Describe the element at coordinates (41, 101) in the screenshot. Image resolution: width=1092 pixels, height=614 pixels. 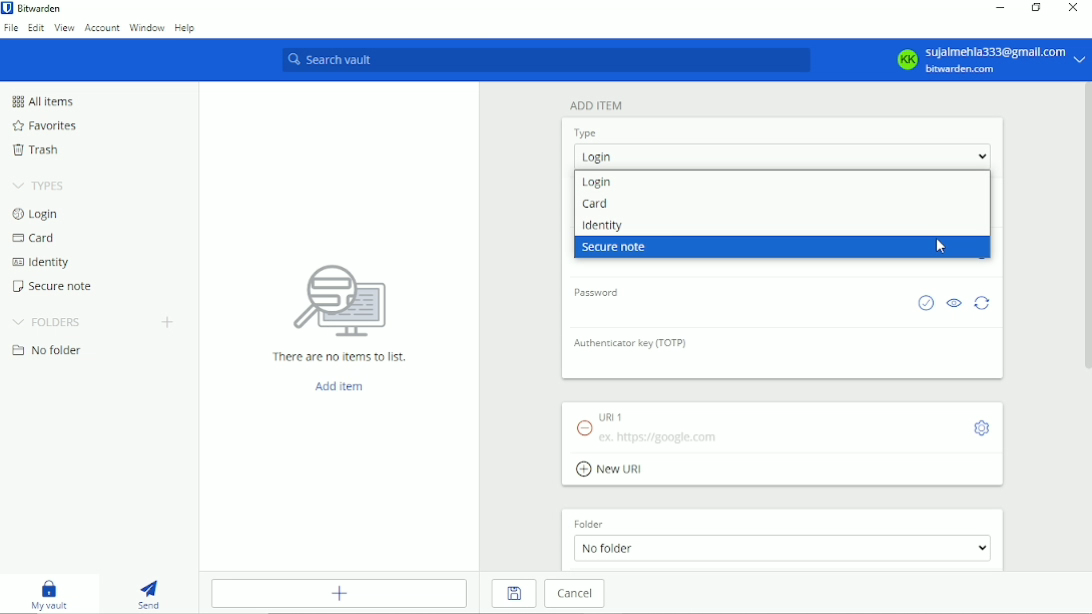
I see `All items` at that location.